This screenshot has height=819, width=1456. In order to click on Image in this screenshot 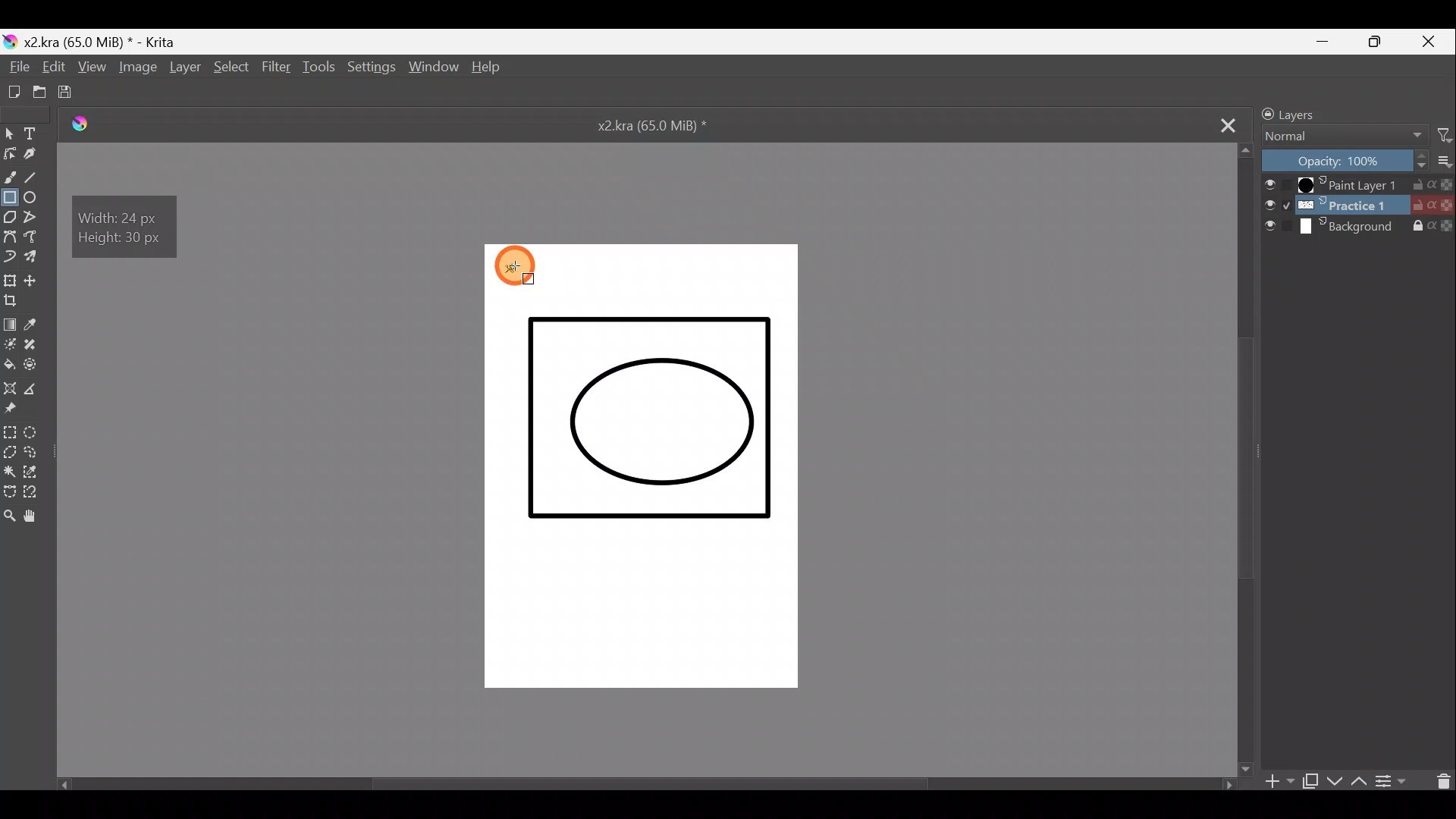, I will do `click(135, 68)`.